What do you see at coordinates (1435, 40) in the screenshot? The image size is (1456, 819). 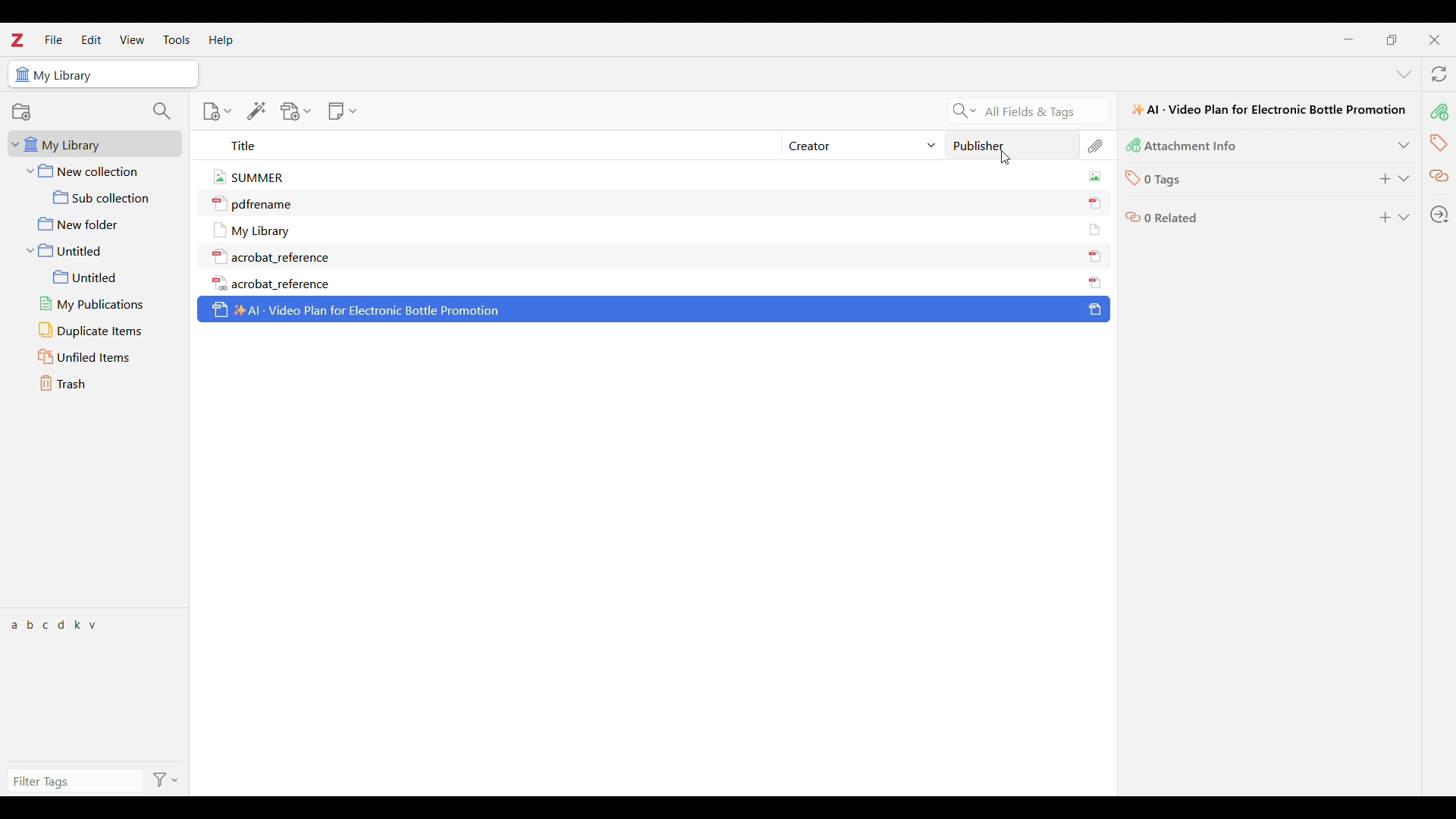 I see `Close interface` at bounding box center [1435, 40].